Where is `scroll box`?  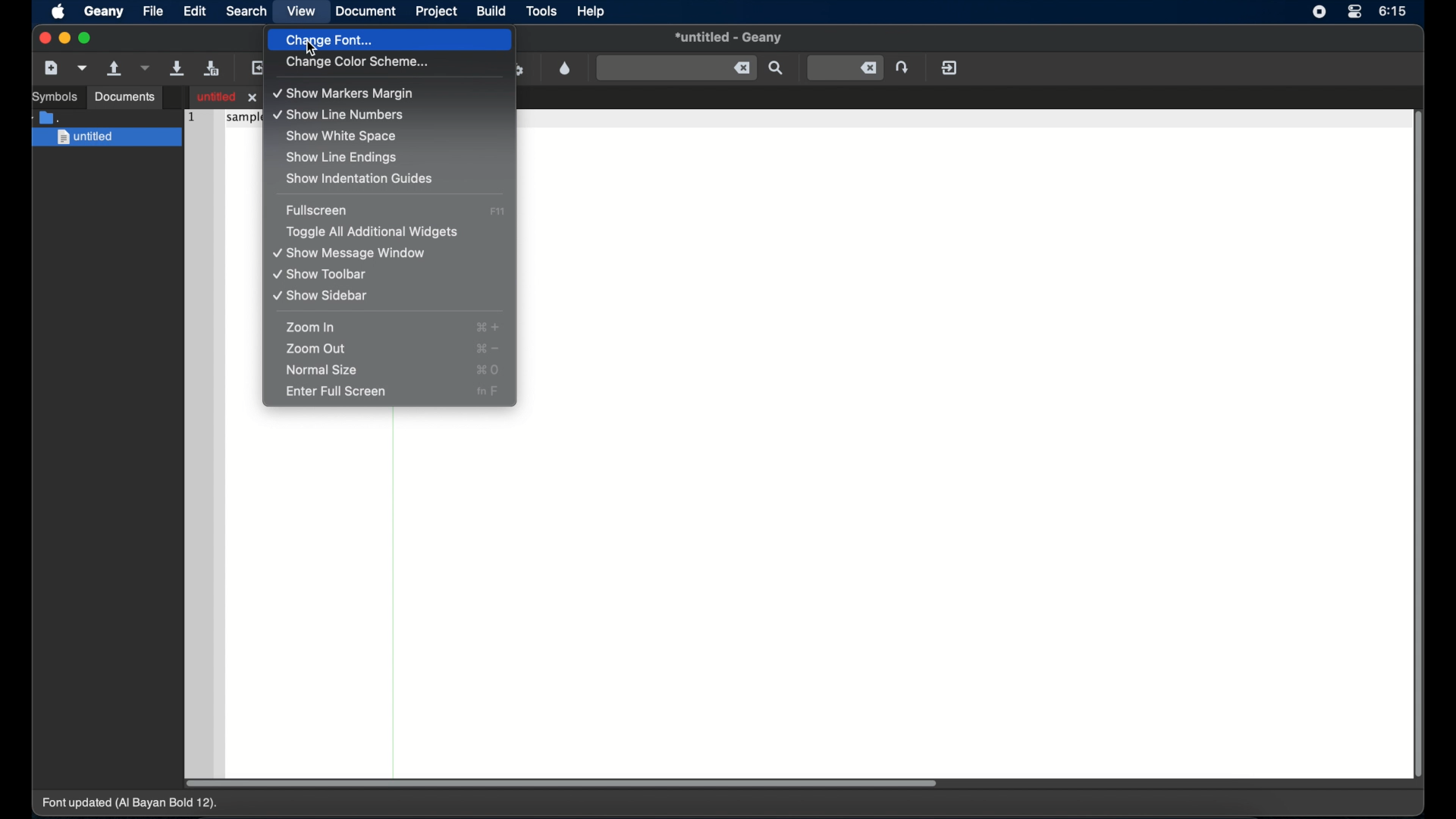 scroll box is located at coordinates (561, 783).